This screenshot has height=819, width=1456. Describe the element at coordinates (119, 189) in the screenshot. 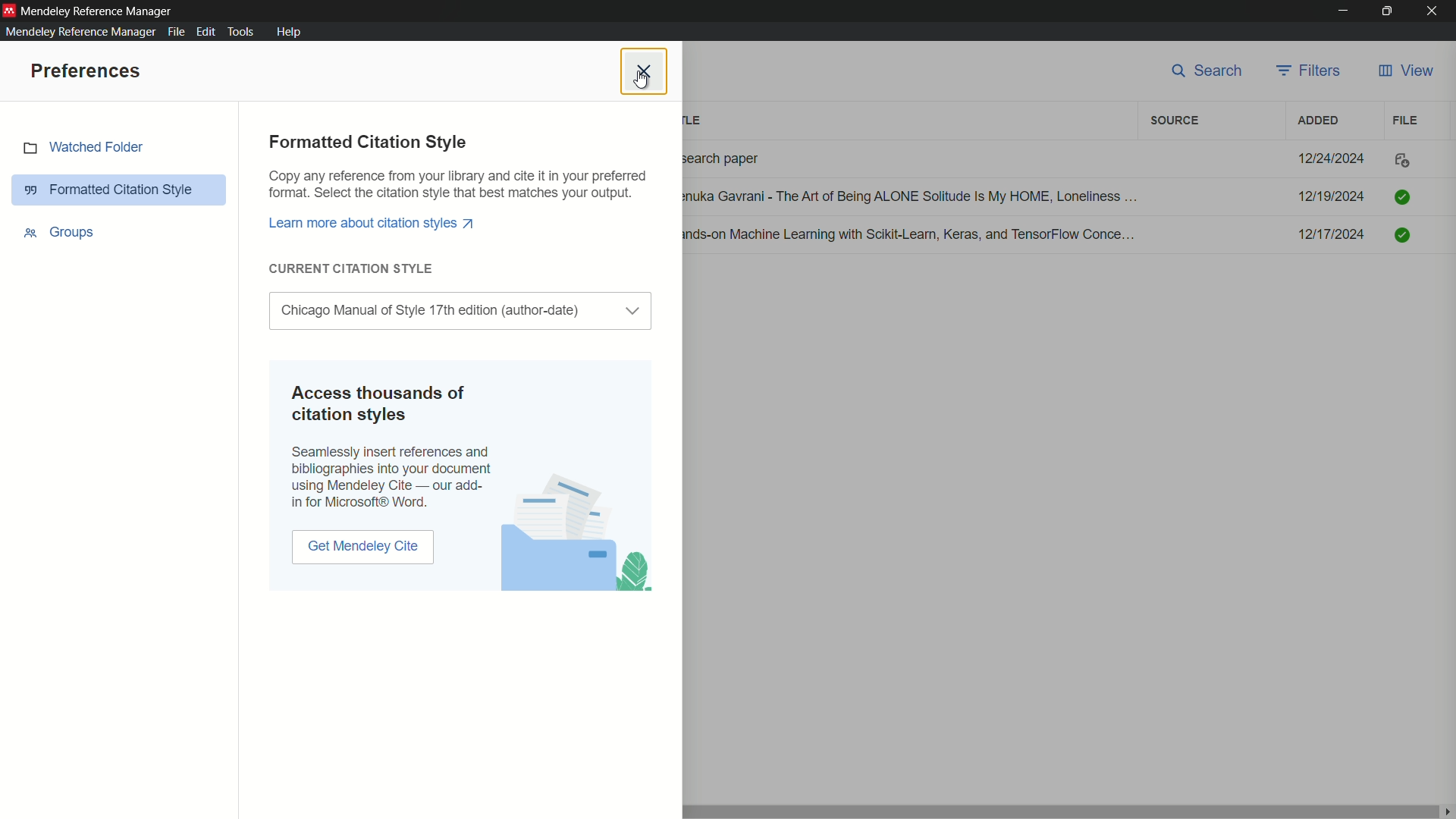

I see `formatted citation style` at that location.